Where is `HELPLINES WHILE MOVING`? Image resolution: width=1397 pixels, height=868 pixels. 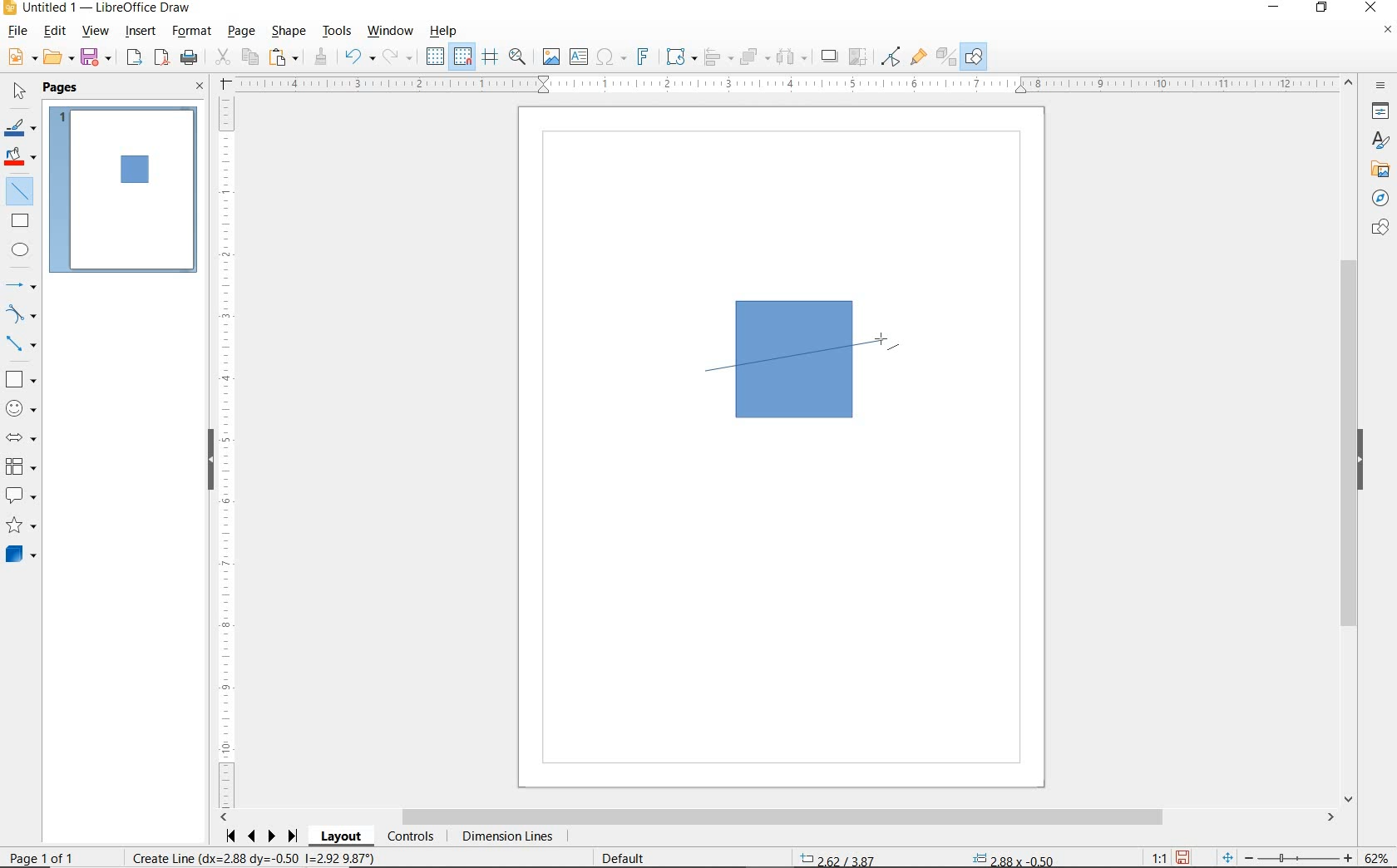
HELPLINES WHILE MOVING is located at coordinates (493, 59).